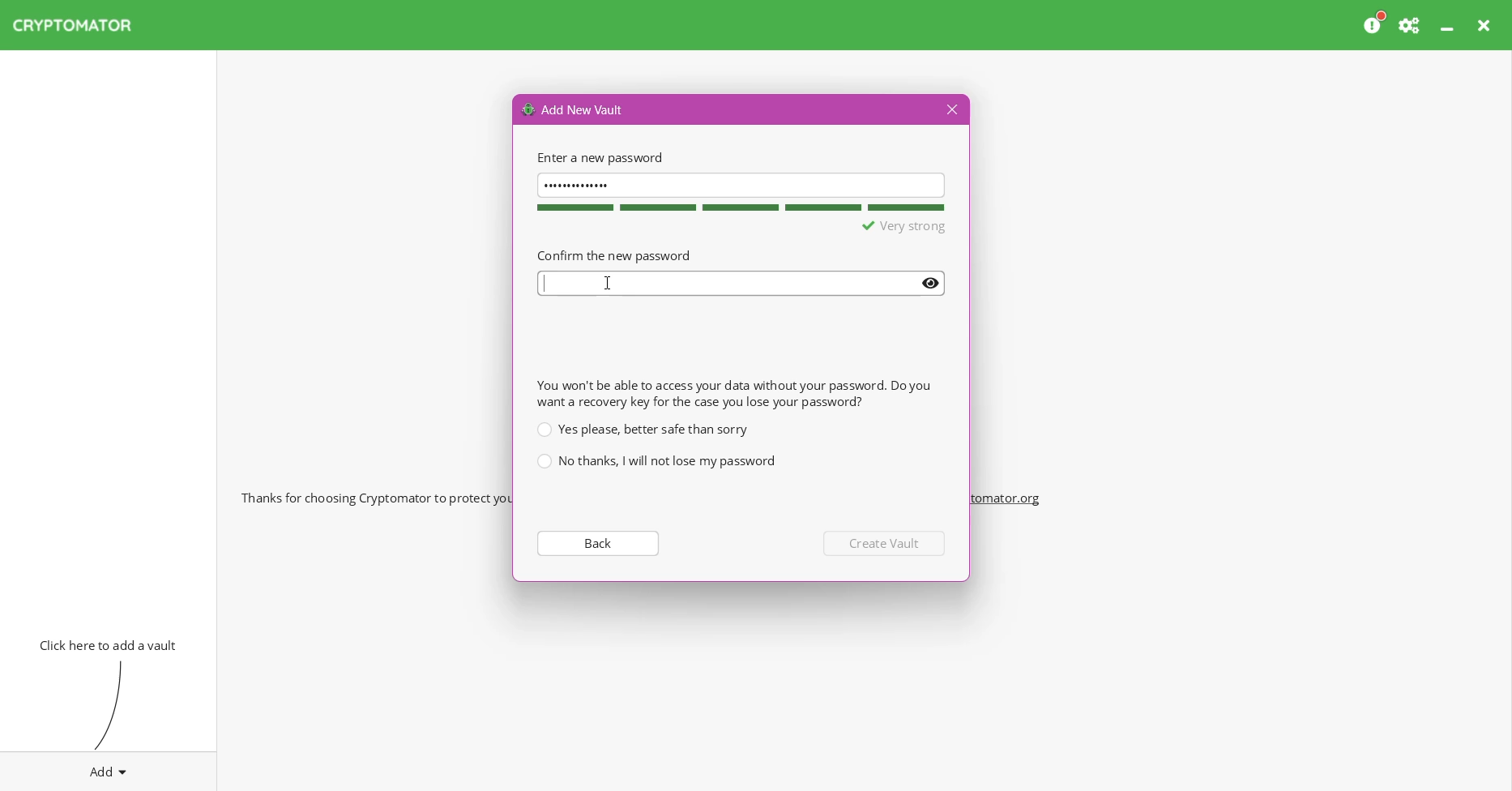 This screenshot has width=1512, height=791. I want to click on Preferences, so click(1411, 25).